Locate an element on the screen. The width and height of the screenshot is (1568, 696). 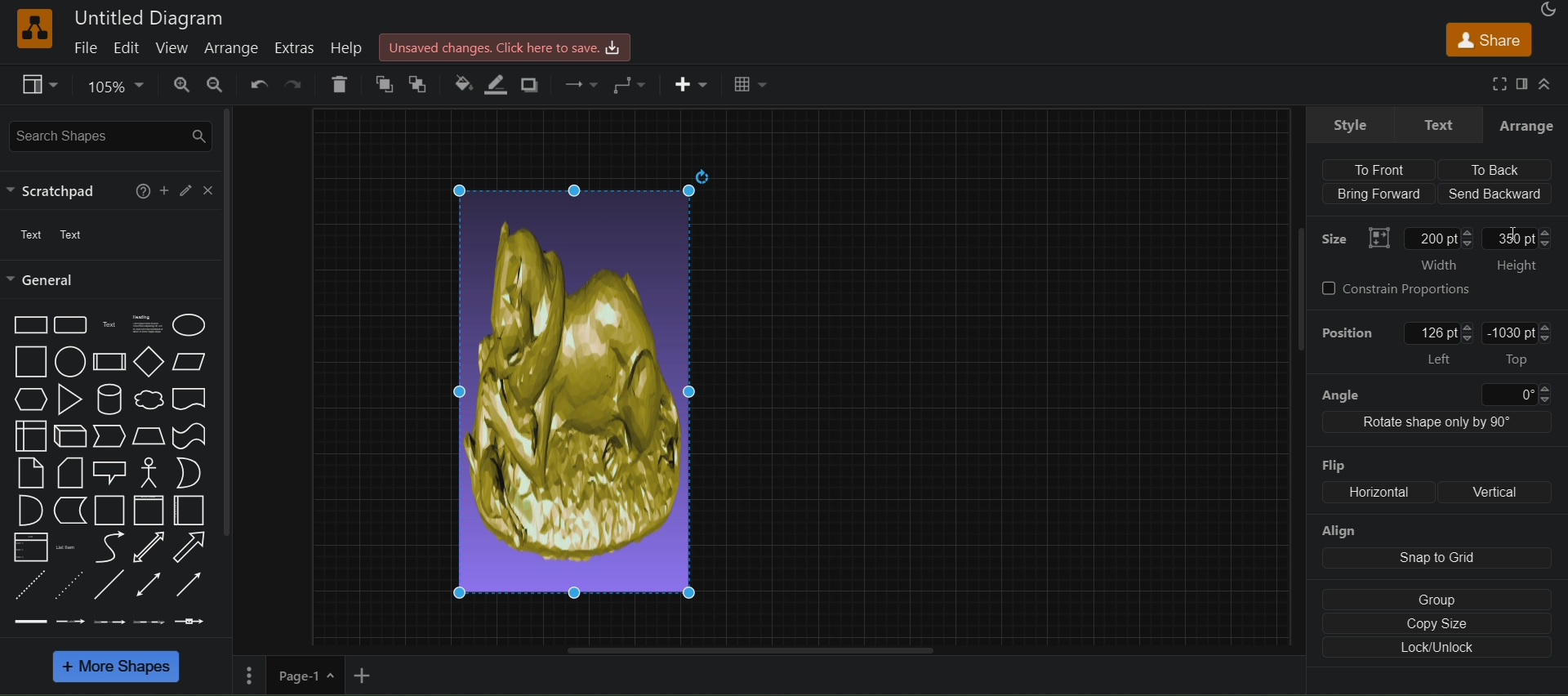
fill color is located at coordinates (462, 85).